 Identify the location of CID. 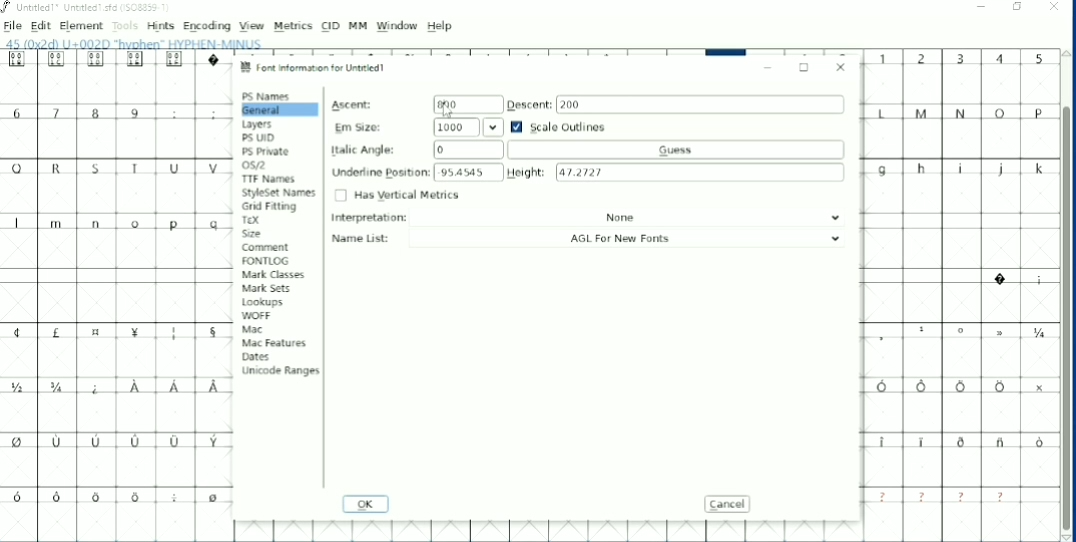
(331, 26).